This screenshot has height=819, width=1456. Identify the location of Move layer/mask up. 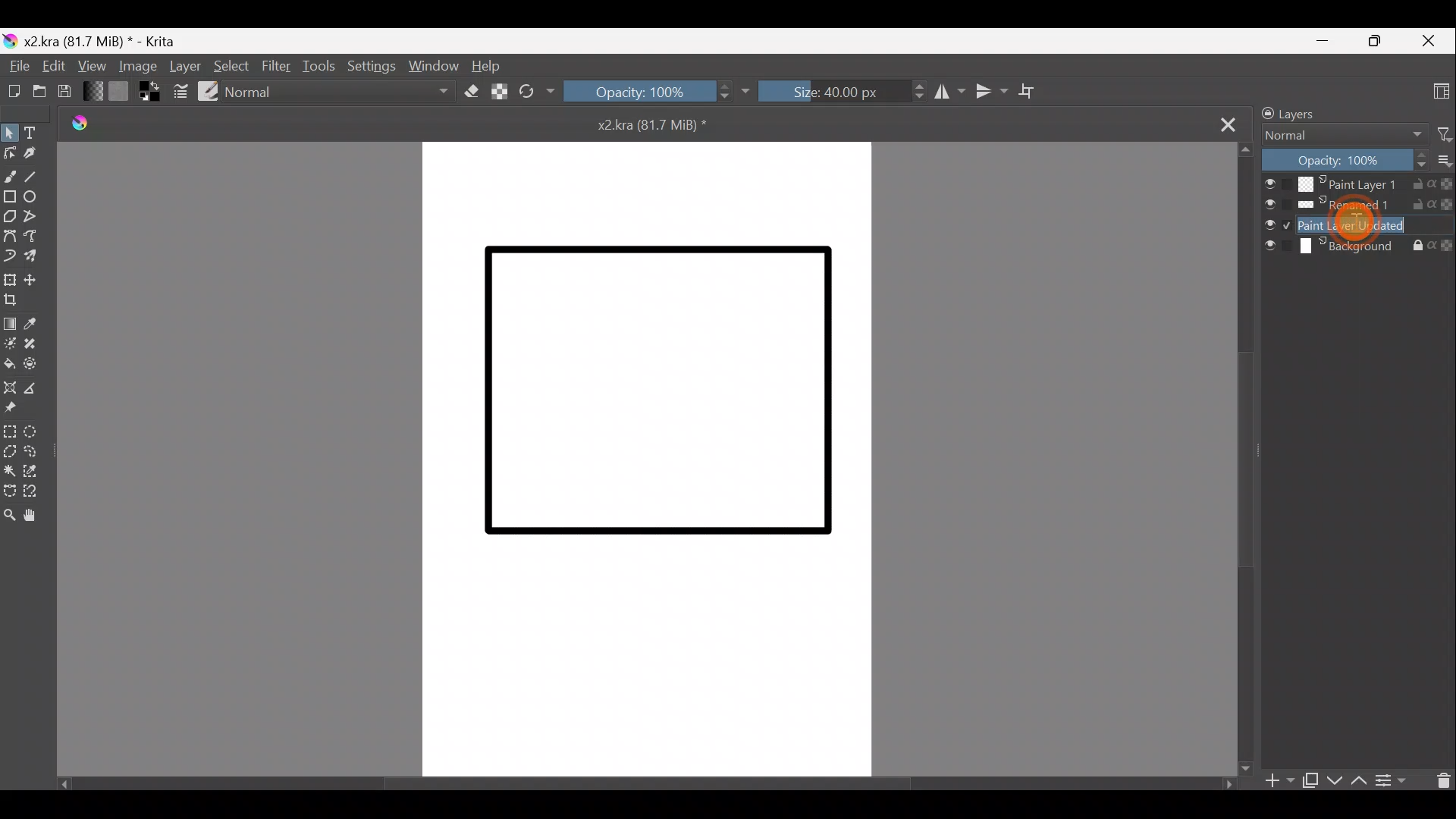
(1362, 779).